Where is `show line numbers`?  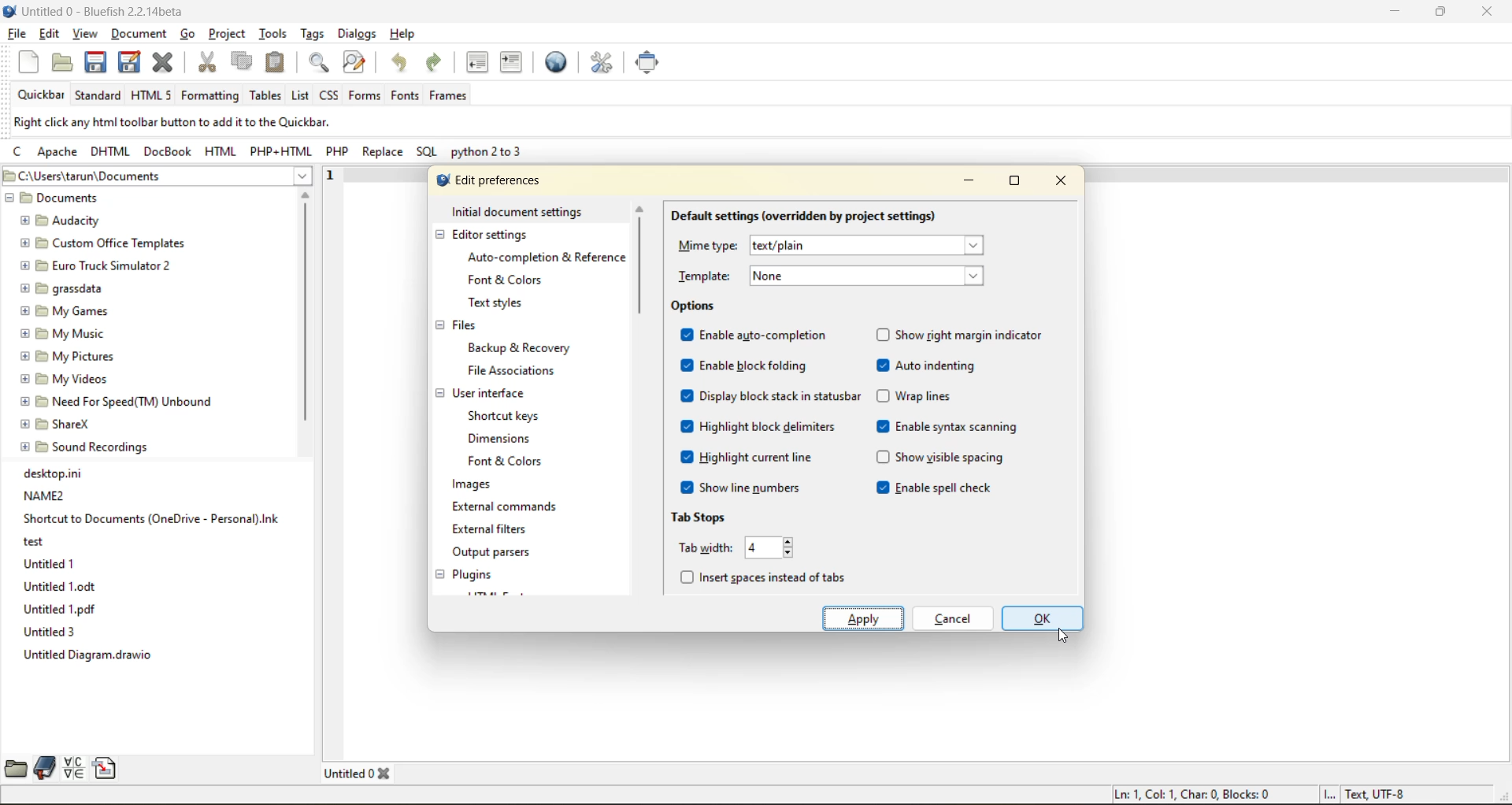
show line numbers is located at coordinates (743, 488).